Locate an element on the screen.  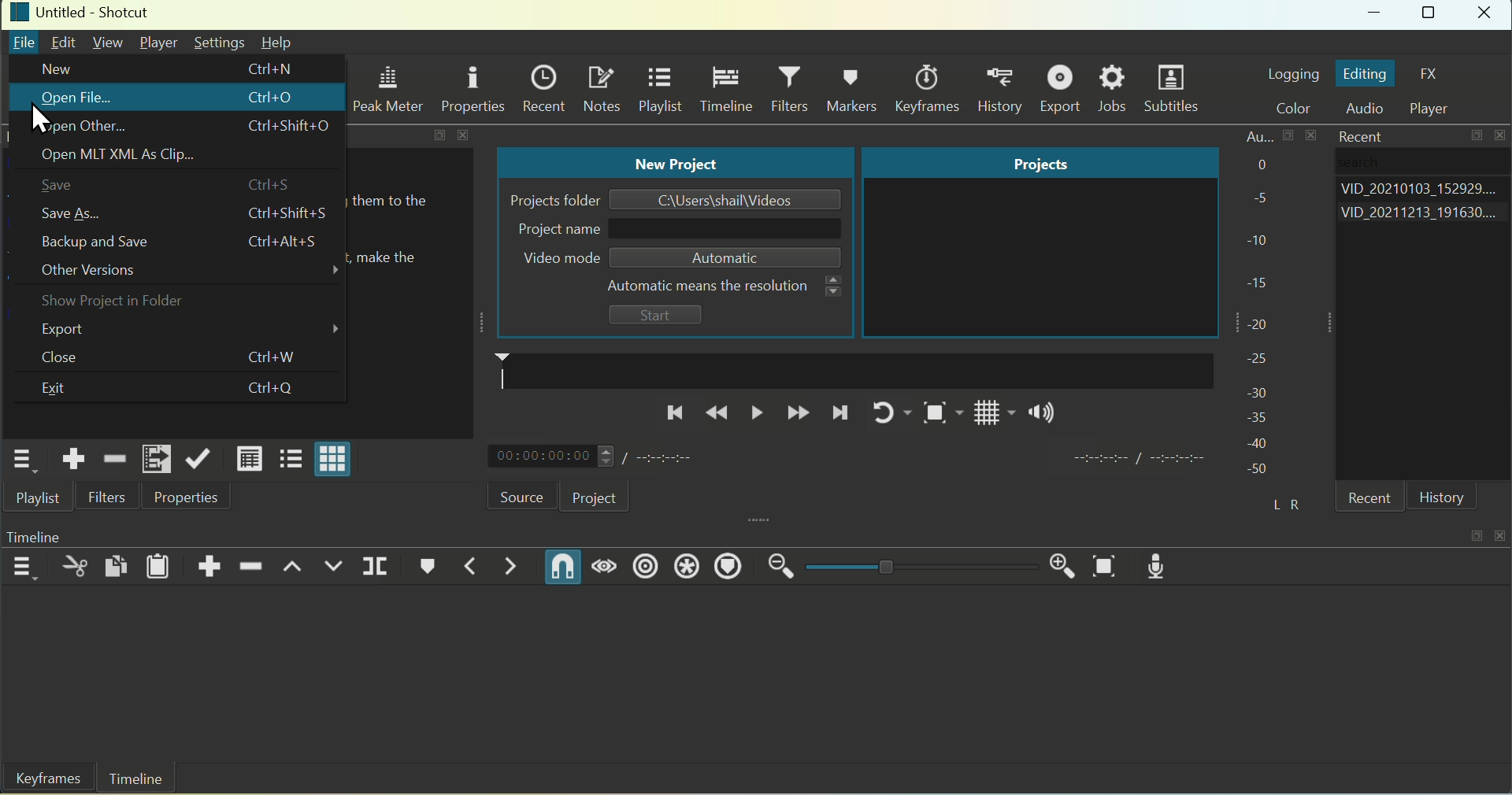
Other Versions is located at coordinates (187, 273).